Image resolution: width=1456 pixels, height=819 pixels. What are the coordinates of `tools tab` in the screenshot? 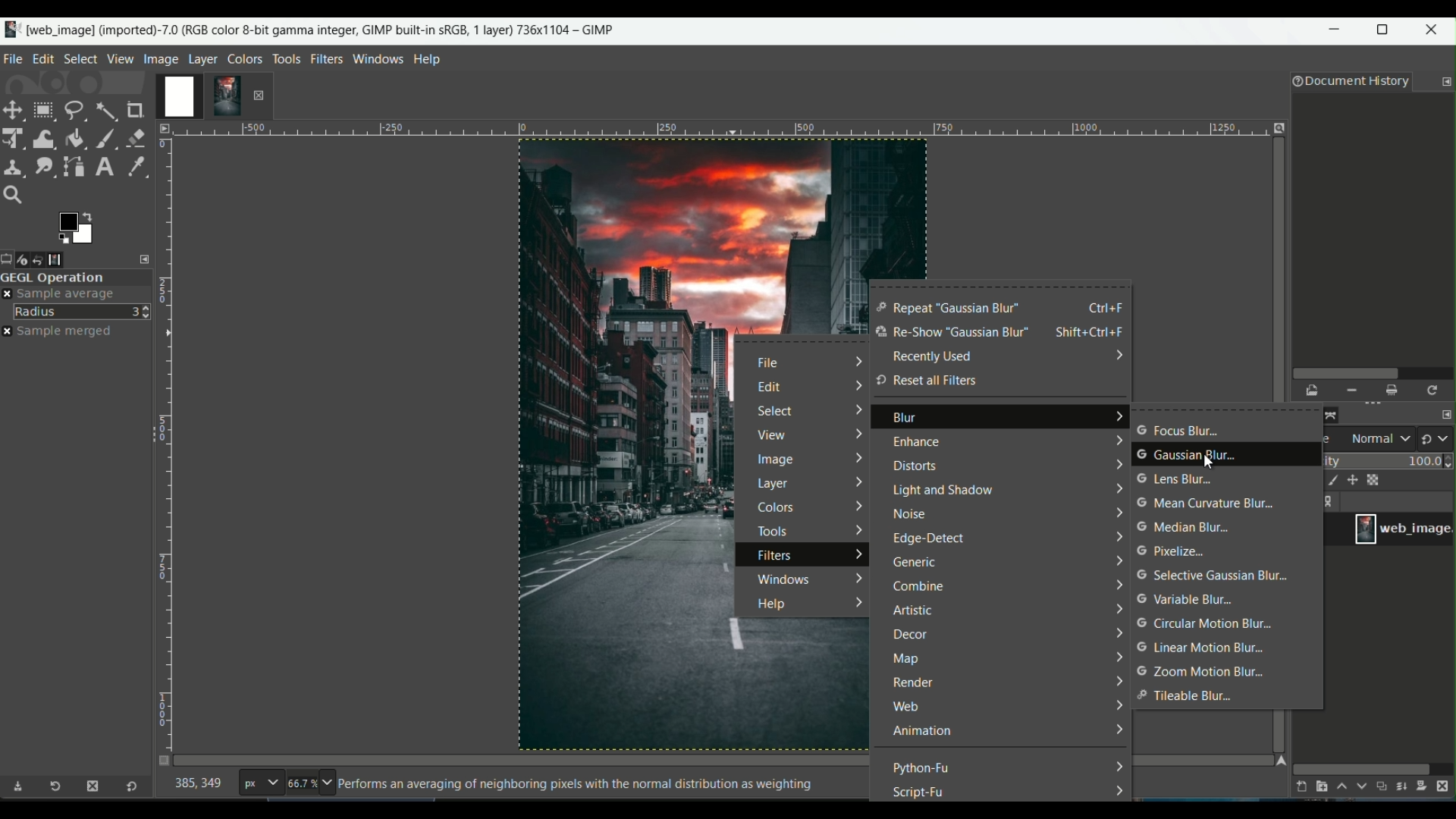 It's located at (286, 58).